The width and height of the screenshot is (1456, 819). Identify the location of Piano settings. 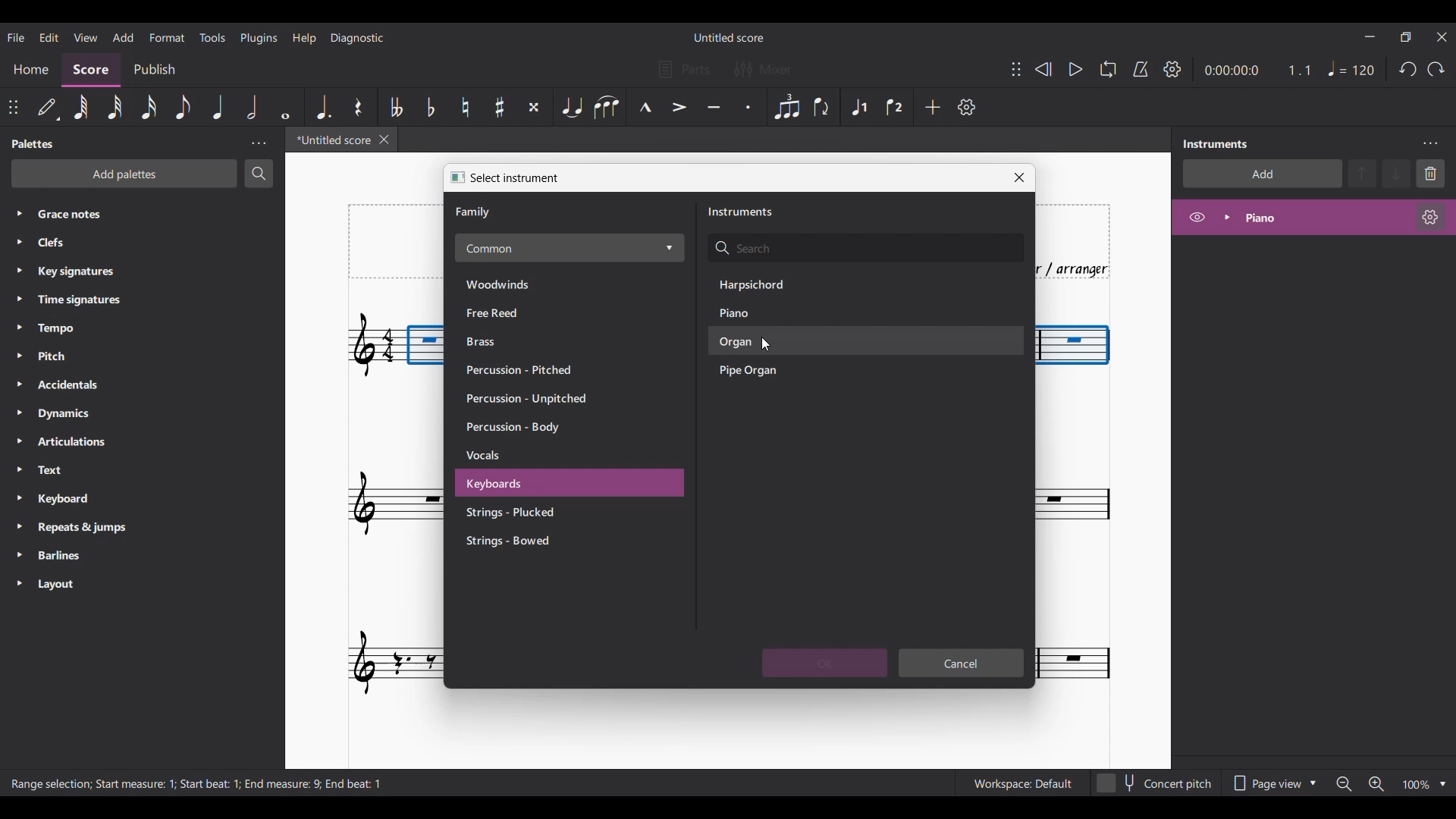
(1430, 217).